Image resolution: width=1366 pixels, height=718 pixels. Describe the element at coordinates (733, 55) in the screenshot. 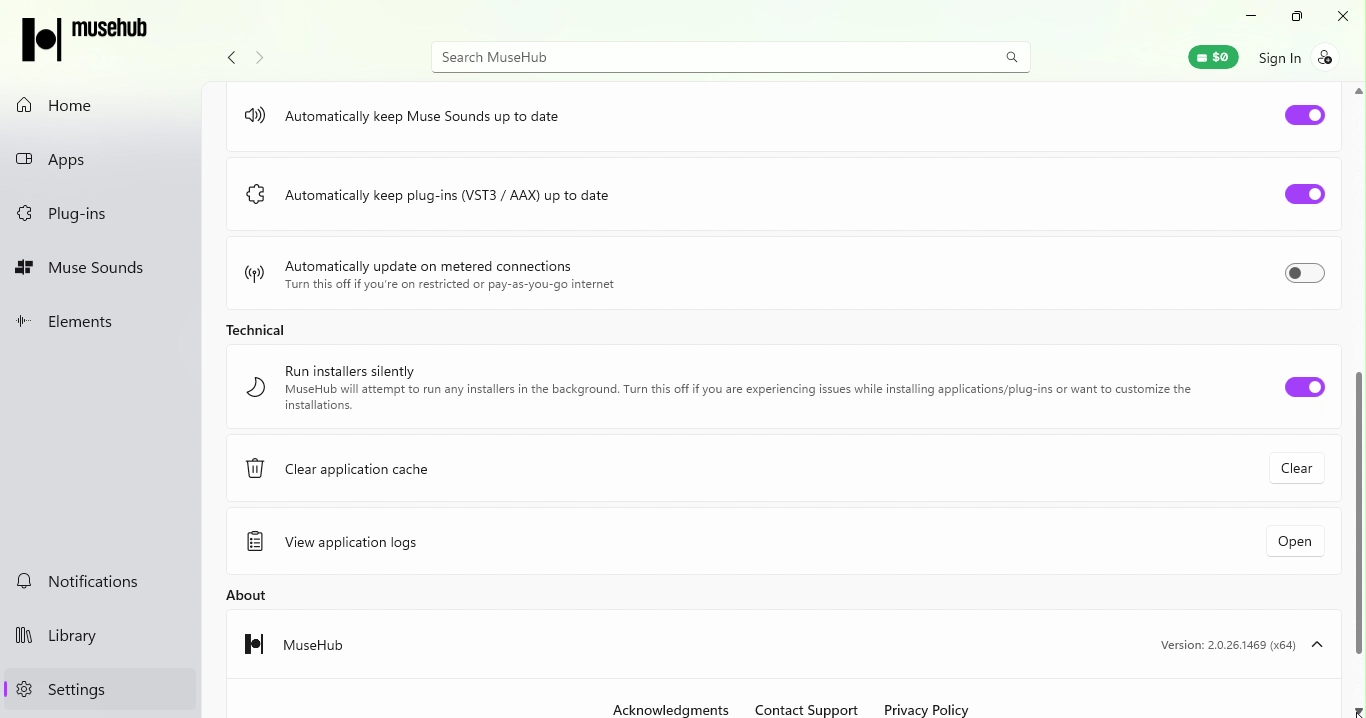

I see `Search bar` at that location.